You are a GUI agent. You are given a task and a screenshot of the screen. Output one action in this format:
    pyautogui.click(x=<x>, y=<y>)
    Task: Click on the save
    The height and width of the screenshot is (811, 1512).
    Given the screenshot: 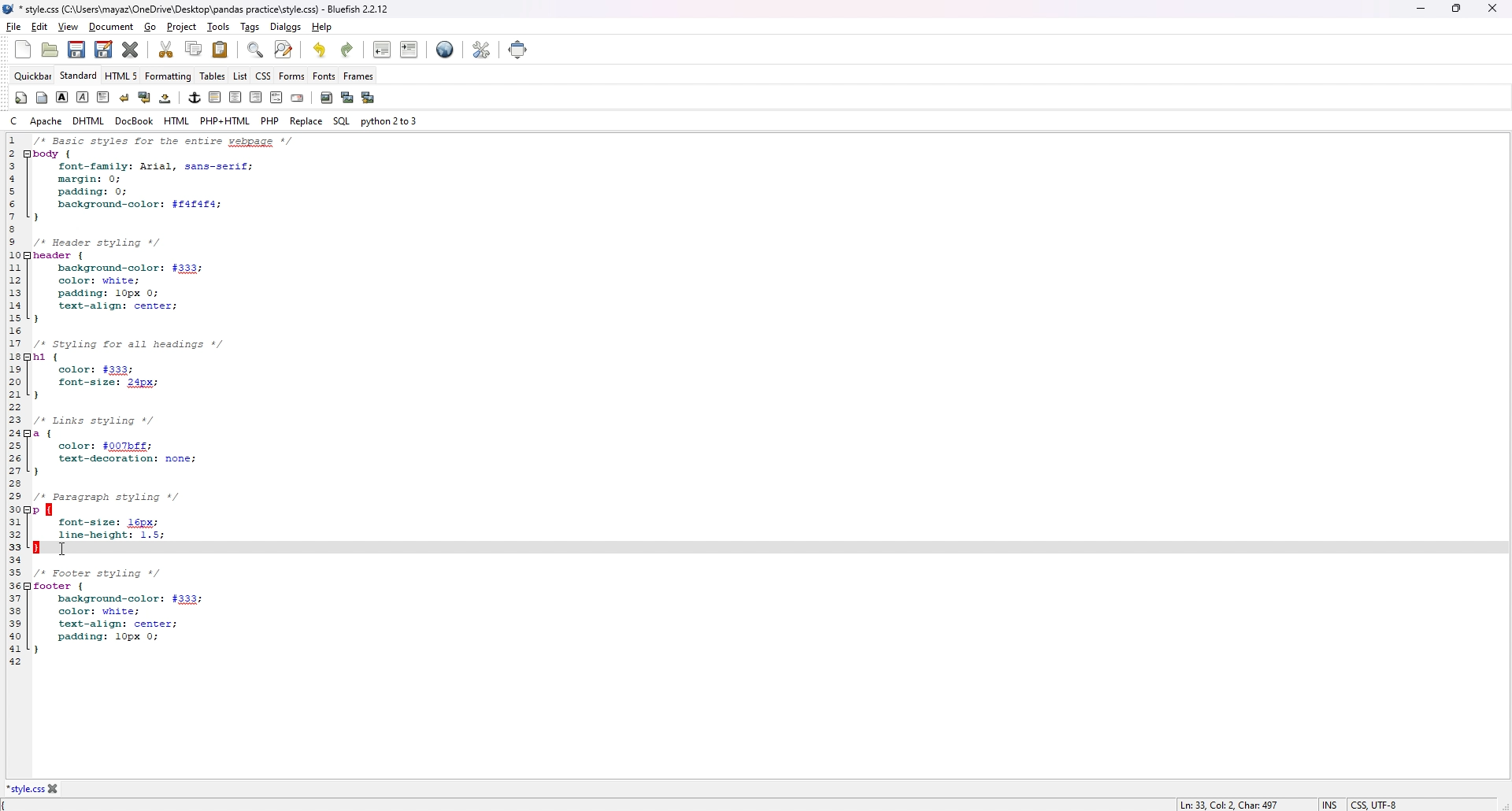 What is the action you would take?
    pyautogui.click(x=77, y=50)
    